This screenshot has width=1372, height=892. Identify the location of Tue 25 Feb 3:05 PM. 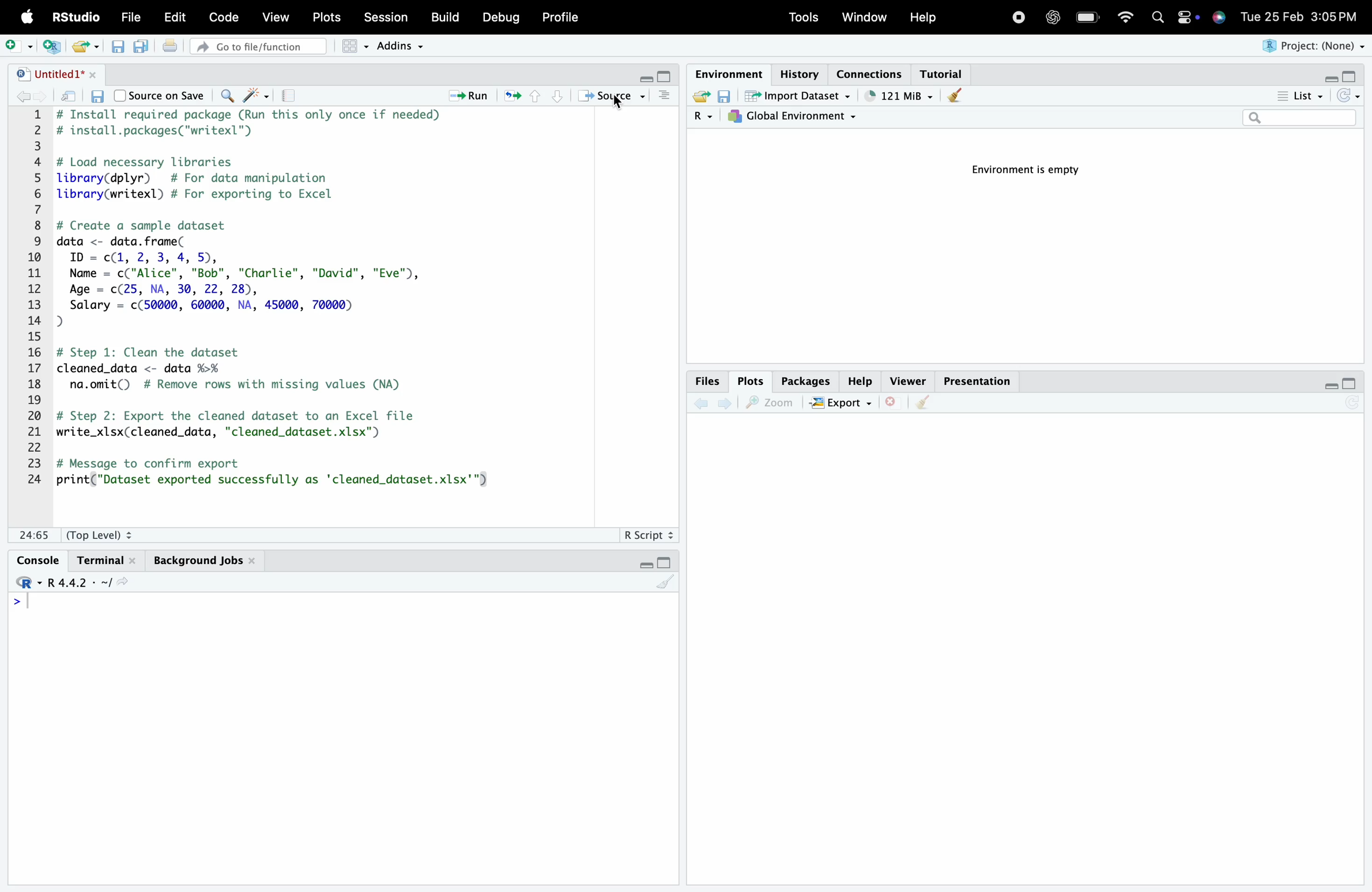
(1298, 17).